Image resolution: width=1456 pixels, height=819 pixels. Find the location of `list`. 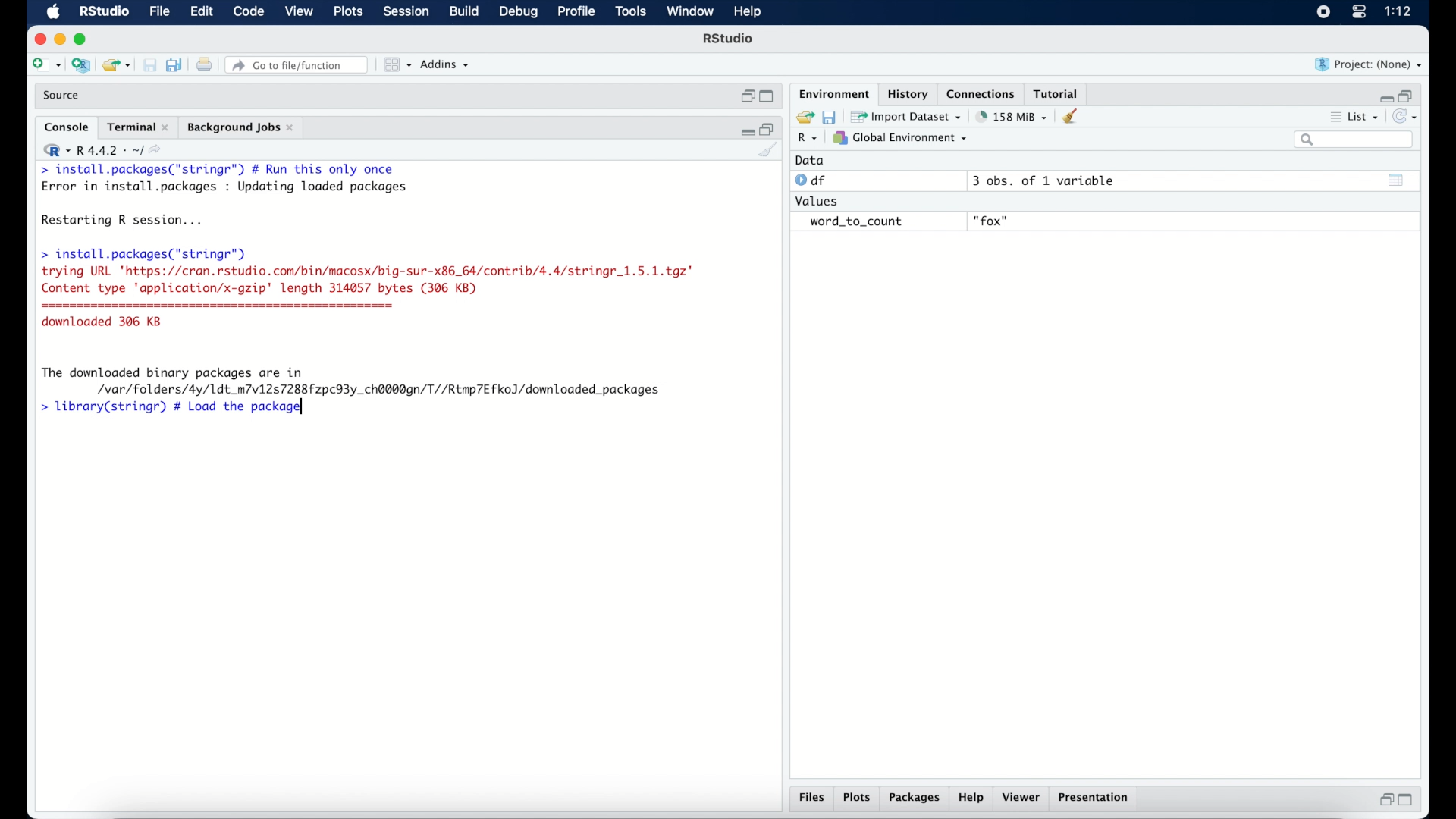

list is located at coordinates (1356, 118).